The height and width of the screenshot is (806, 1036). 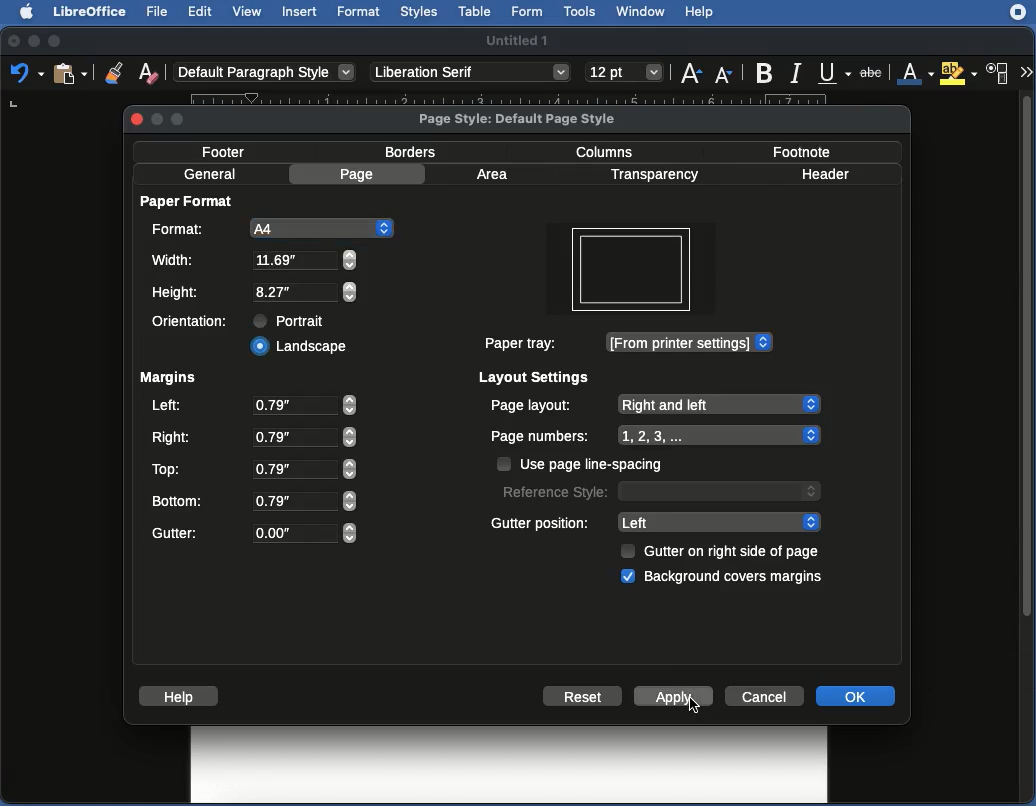 What do you see at coordinates (177, 534) in the screenshot?
I see `Gutter` at bounding box center [177, 534].